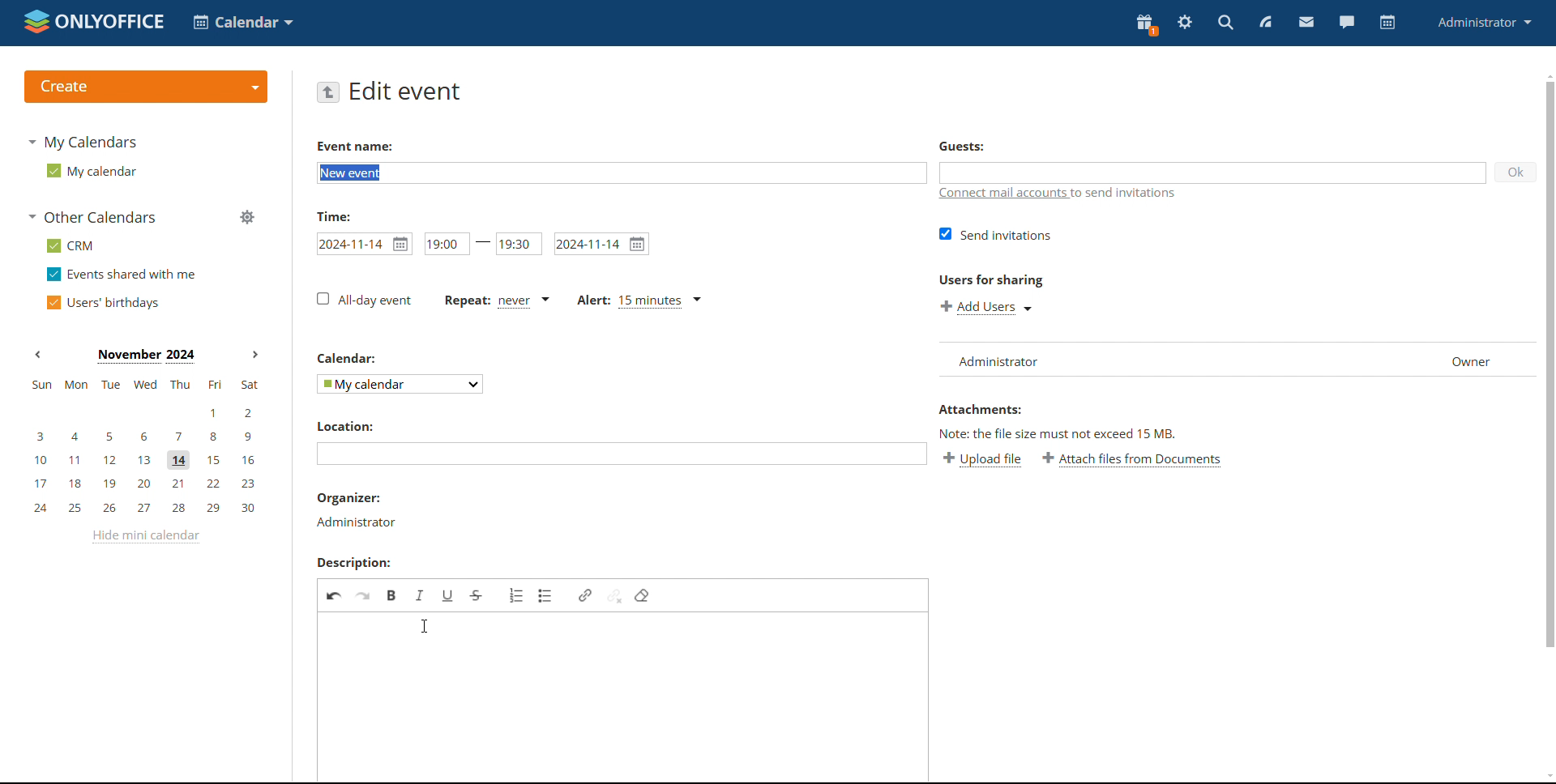  Describe the element at coordinates (624, 698) in the screenshot. I see `edit description` at that location.